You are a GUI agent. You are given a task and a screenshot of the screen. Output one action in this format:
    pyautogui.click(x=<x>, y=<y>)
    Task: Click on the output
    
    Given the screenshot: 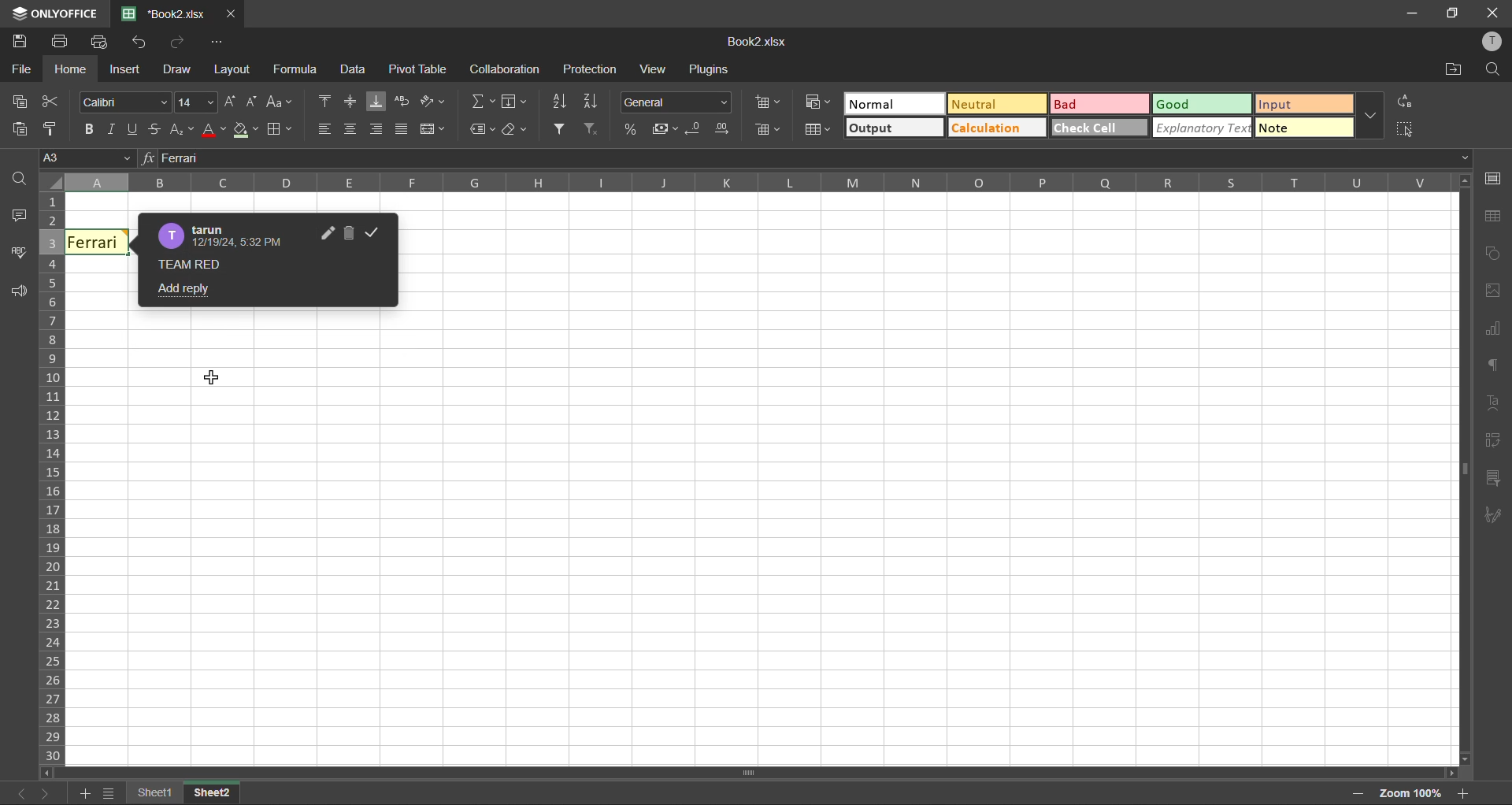 What is the action you would take?
    pyautogui.click(x=888, y=128)
    